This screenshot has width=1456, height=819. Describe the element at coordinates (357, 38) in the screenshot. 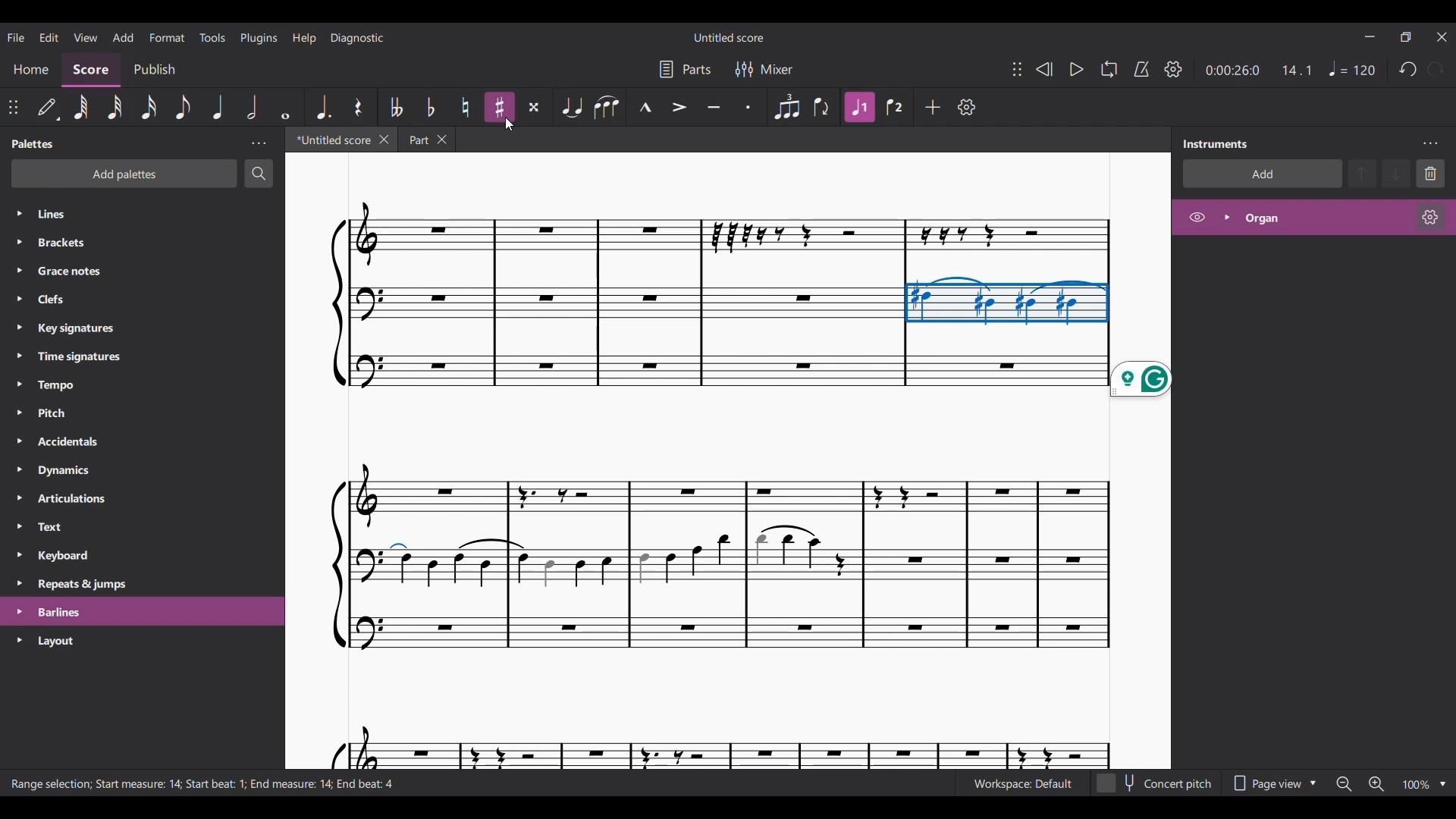

I see `Diagnostic menu` at that location.